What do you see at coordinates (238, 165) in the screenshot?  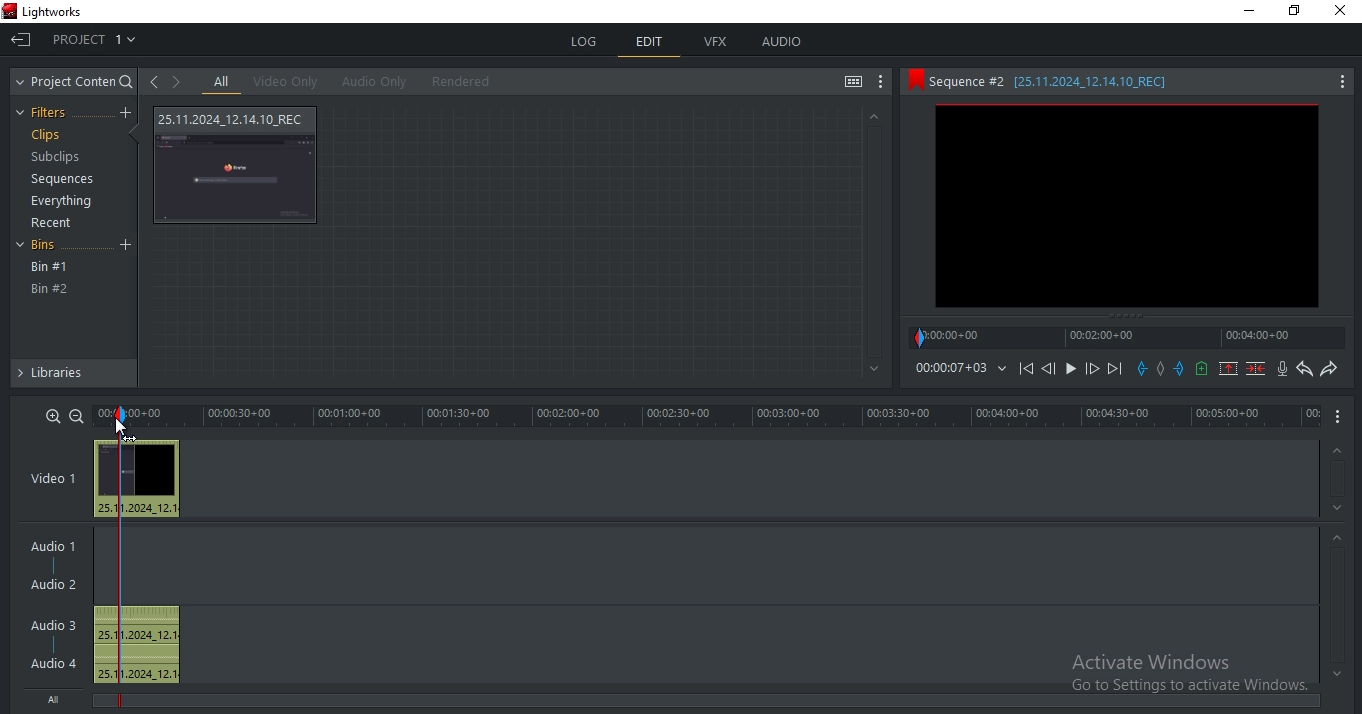 I see `video` at bounding box center [238, 165].